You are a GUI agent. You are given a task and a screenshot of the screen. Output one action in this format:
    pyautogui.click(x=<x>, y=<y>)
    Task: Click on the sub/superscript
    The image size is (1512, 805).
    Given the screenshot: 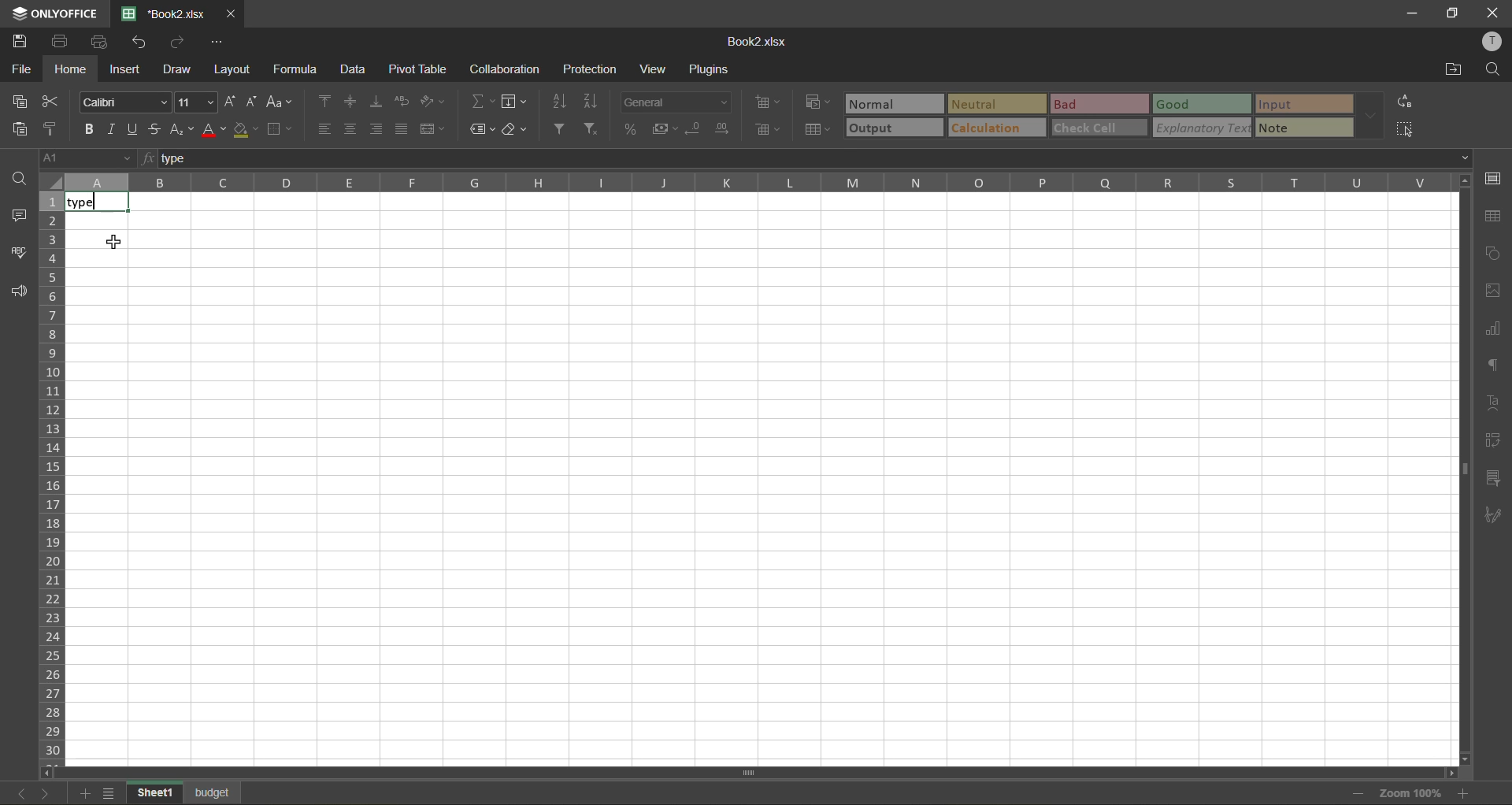 What is the action you would take?
    pyautogui.click(x=183, y=130)
    